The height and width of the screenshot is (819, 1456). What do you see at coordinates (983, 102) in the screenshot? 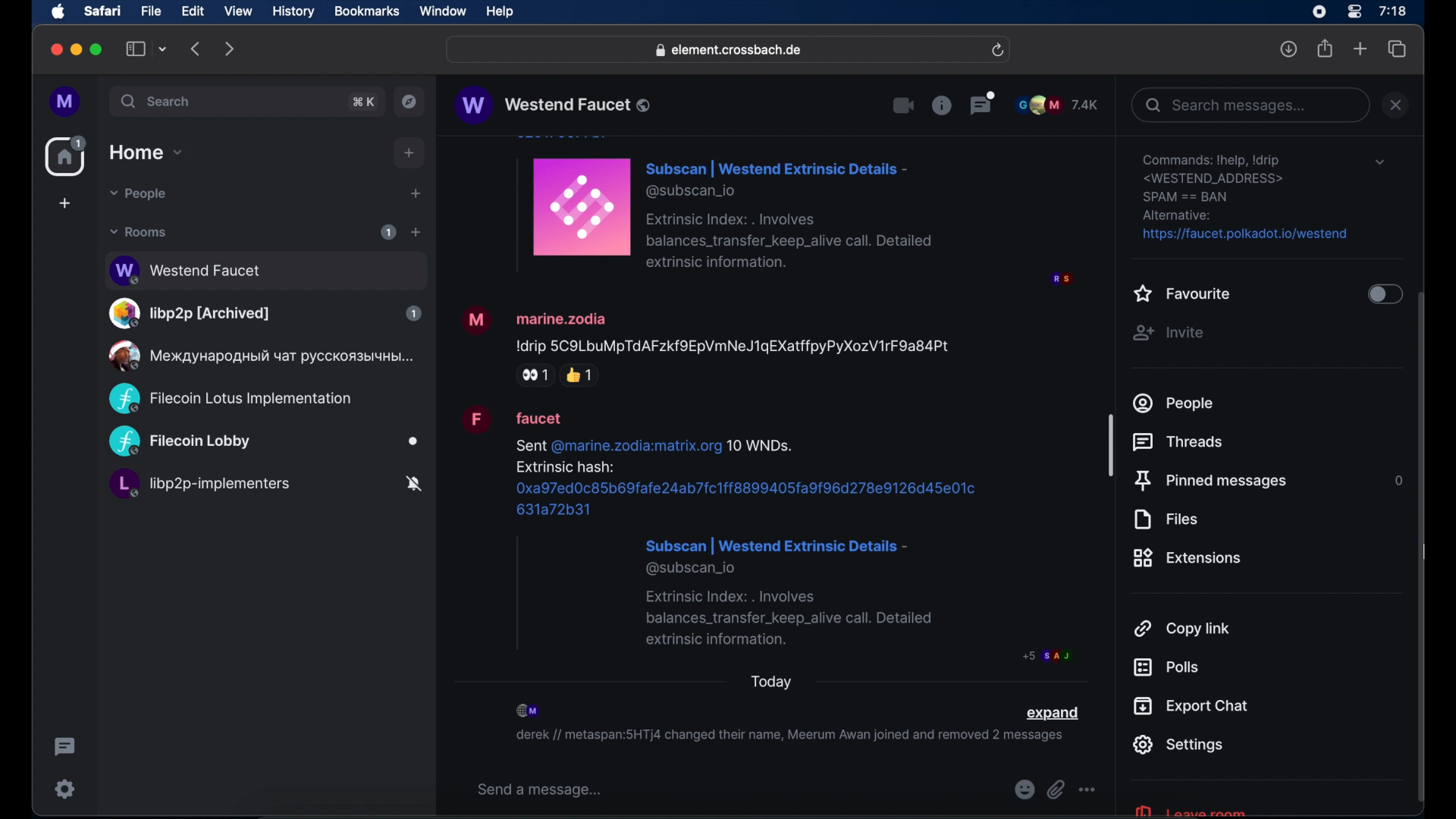
I see `threads` at bounding box center [983, 102].